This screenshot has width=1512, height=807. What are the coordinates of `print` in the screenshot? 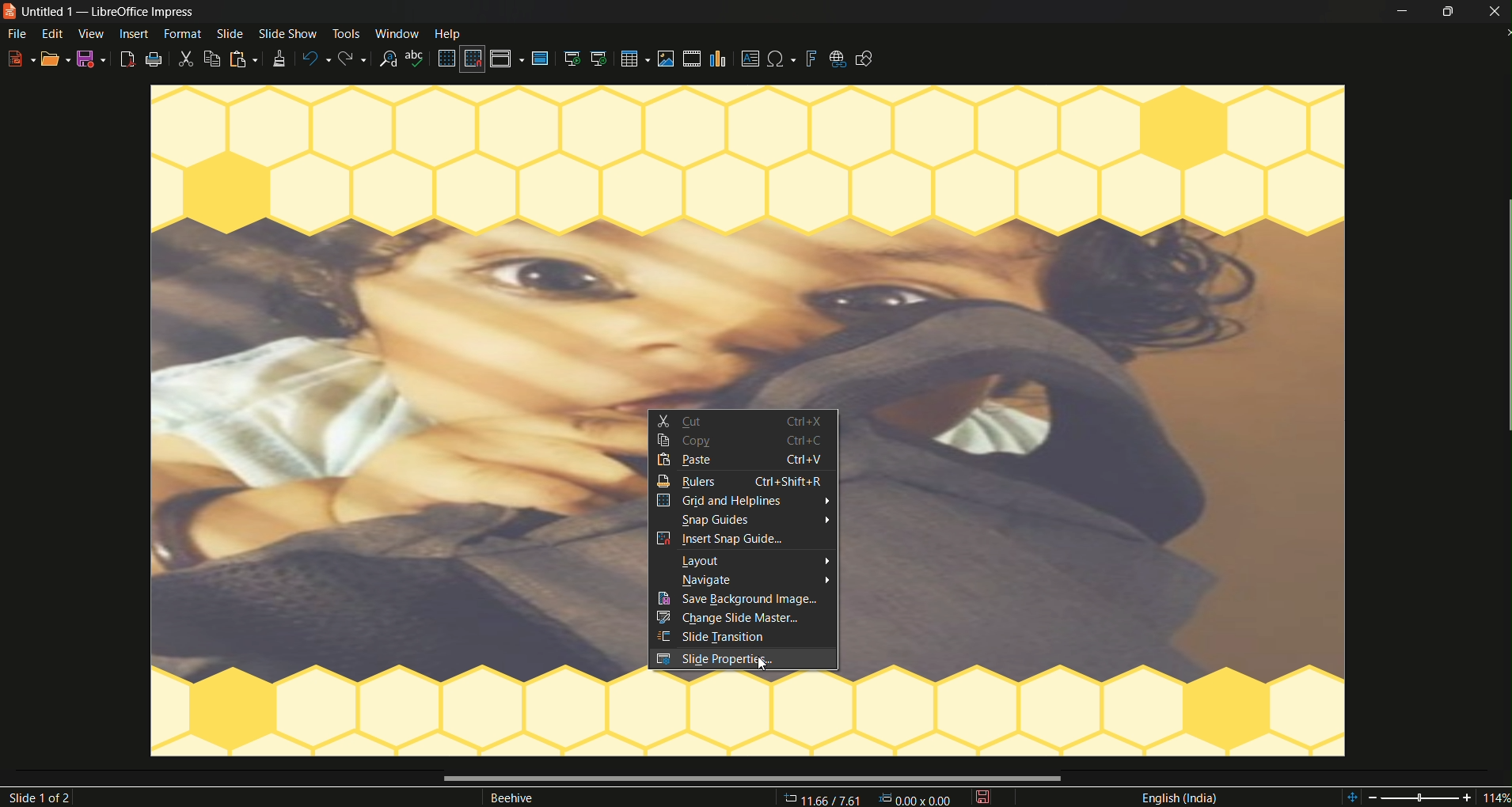 It's located at (155, 59).